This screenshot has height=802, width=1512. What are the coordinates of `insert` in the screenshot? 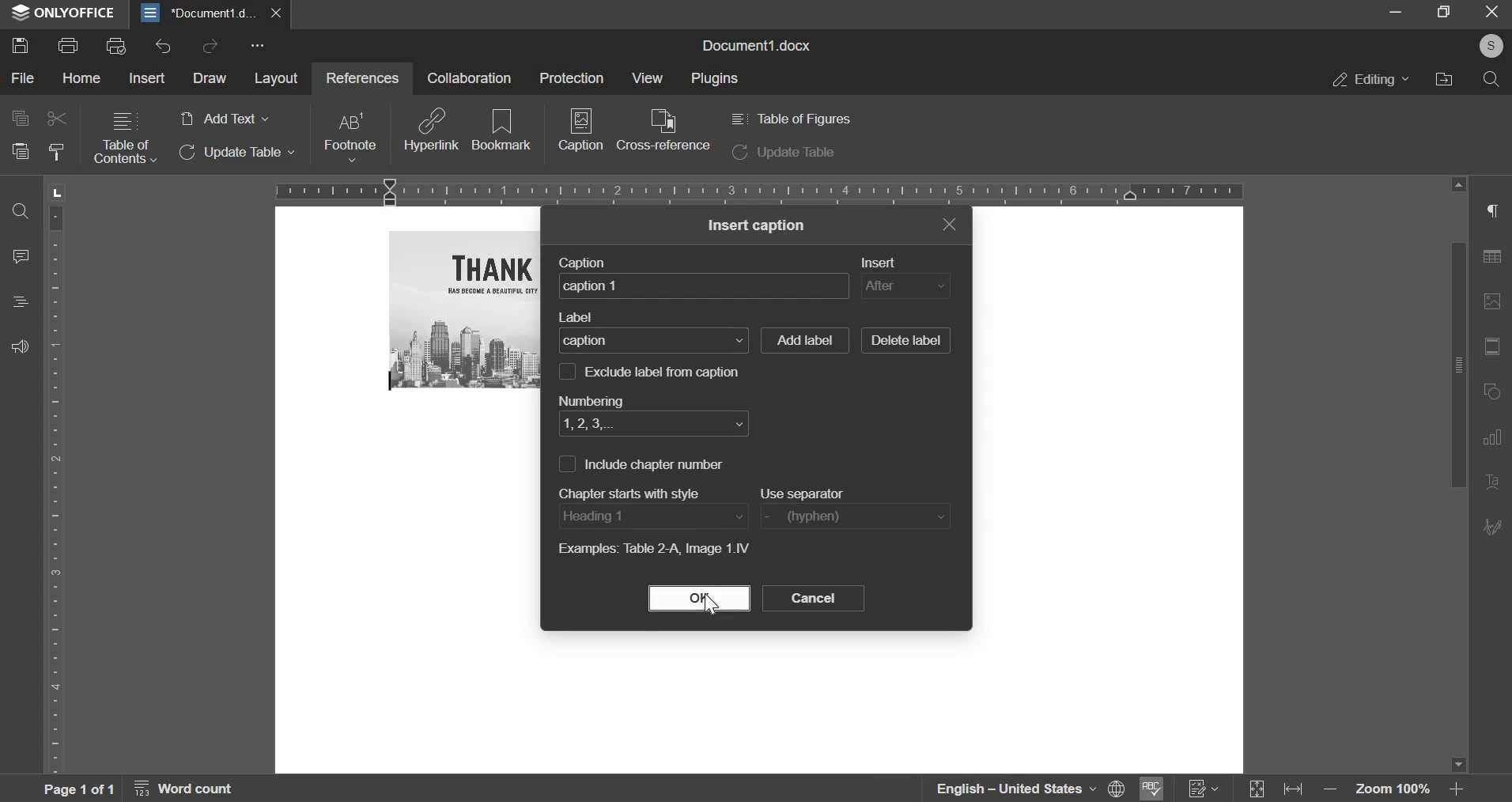 It's located at (149, 77).